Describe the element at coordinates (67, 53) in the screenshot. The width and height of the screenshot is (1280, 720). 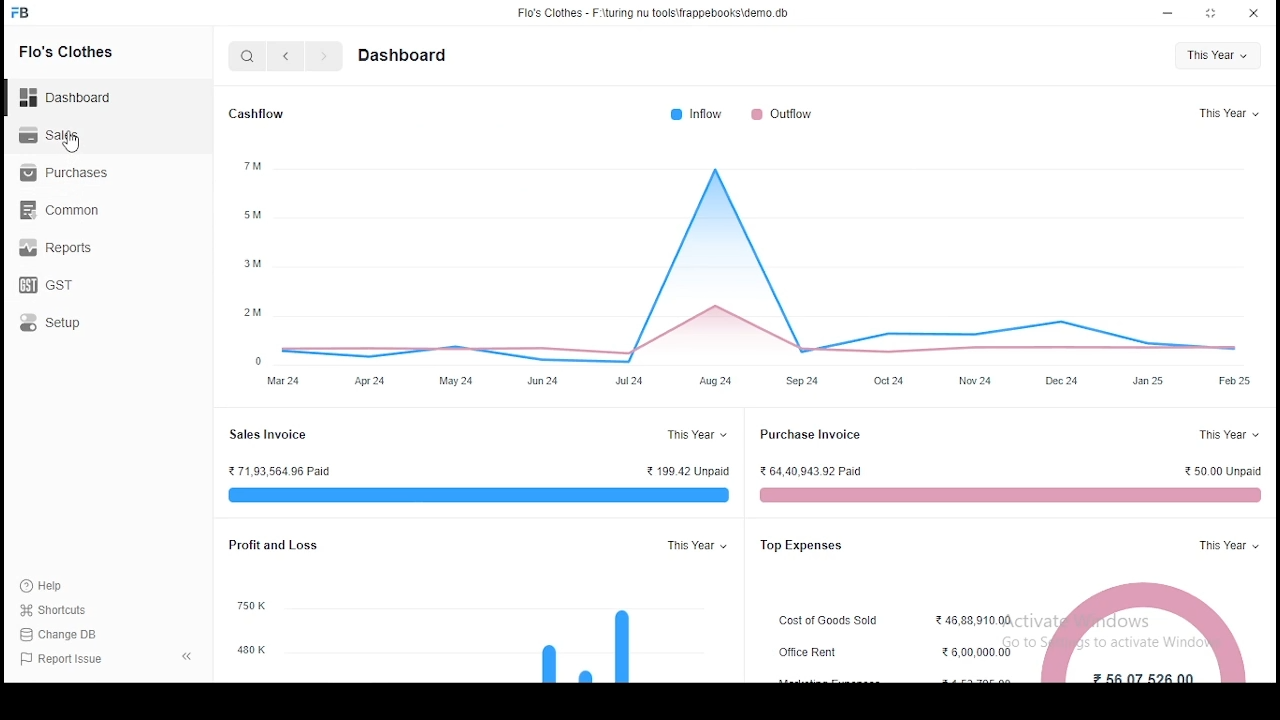
I see `flo's clothes` at that location.